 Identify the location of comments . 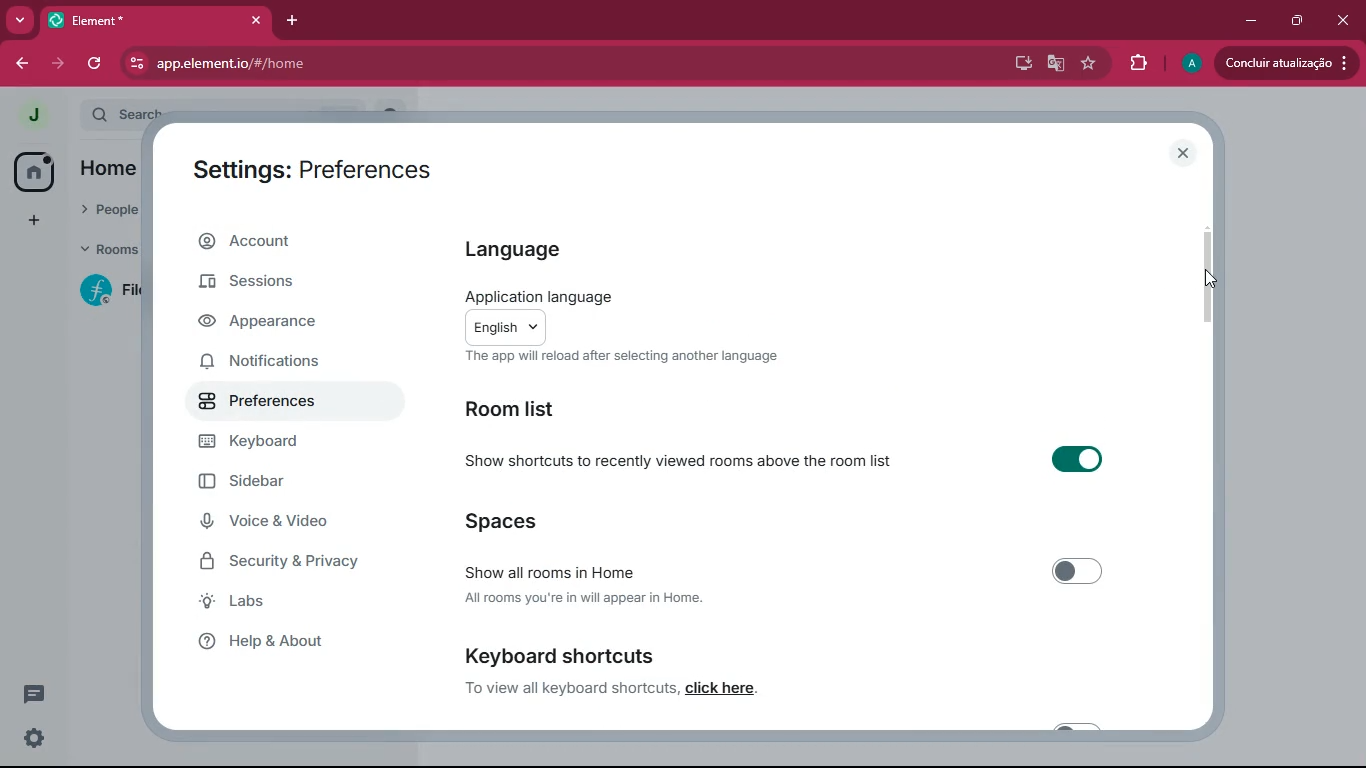
(48, 698).